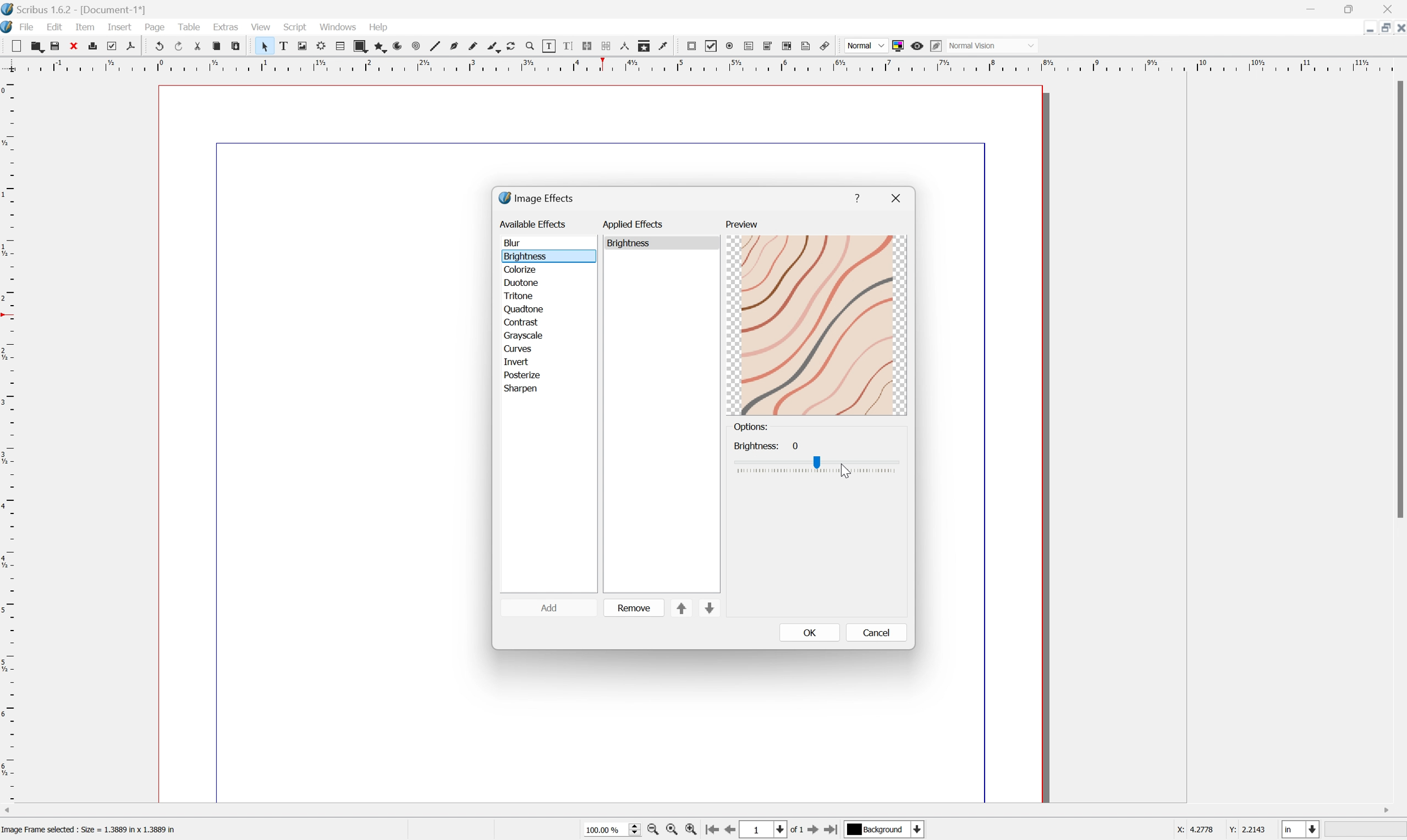 This screenshot has height=840, width=1407. I want to click on PDF List Box, so click(789, 46).